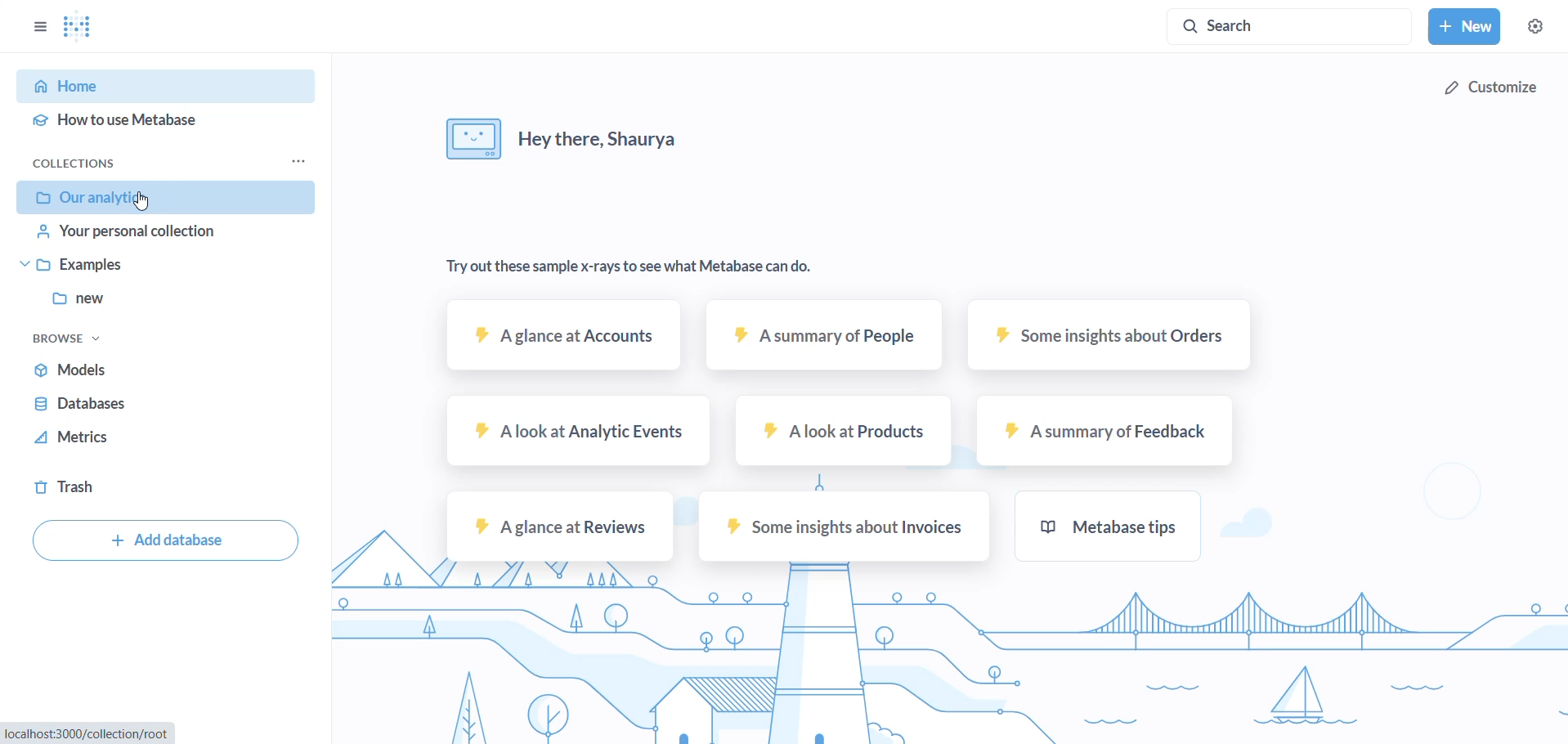 Image resolution: width=1568 pixels, height=744 pixels. What do you see at coordinates (141, 486) in the screenshot?
I see `trash` at bounding box center [141, 486].